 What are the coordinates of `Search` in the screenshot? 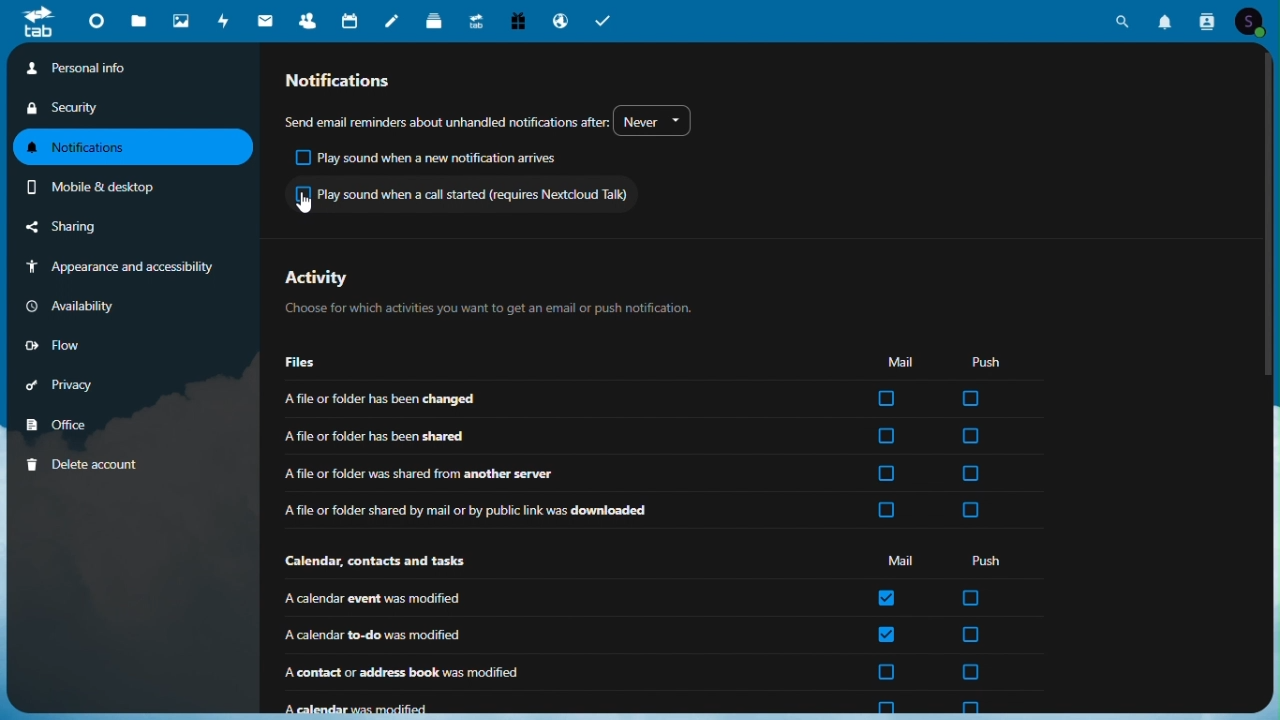 It's located at (1122, 20).